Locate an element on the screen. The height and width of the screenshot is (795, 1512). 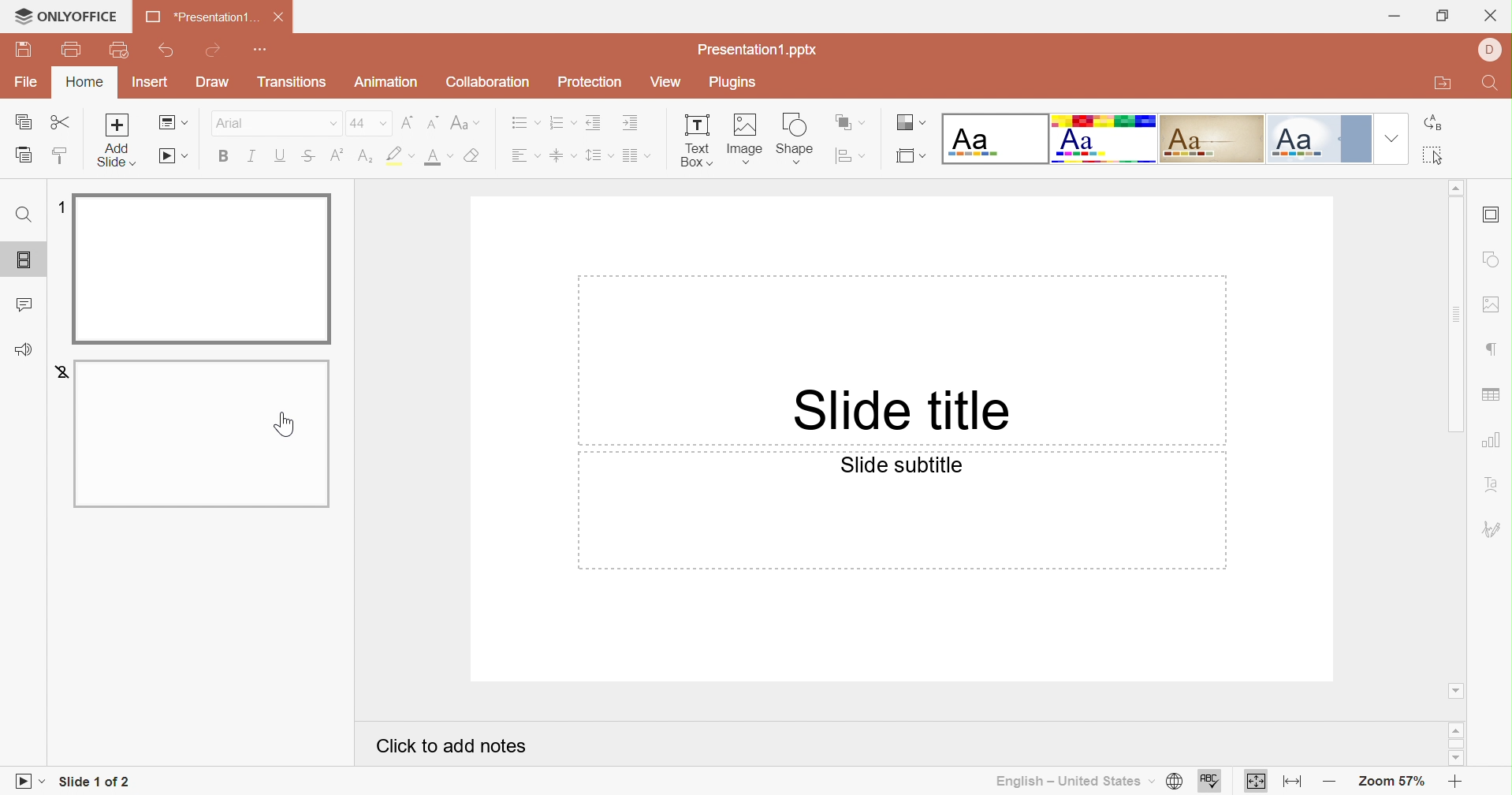
Text Box is located at coordinates (698, 143).